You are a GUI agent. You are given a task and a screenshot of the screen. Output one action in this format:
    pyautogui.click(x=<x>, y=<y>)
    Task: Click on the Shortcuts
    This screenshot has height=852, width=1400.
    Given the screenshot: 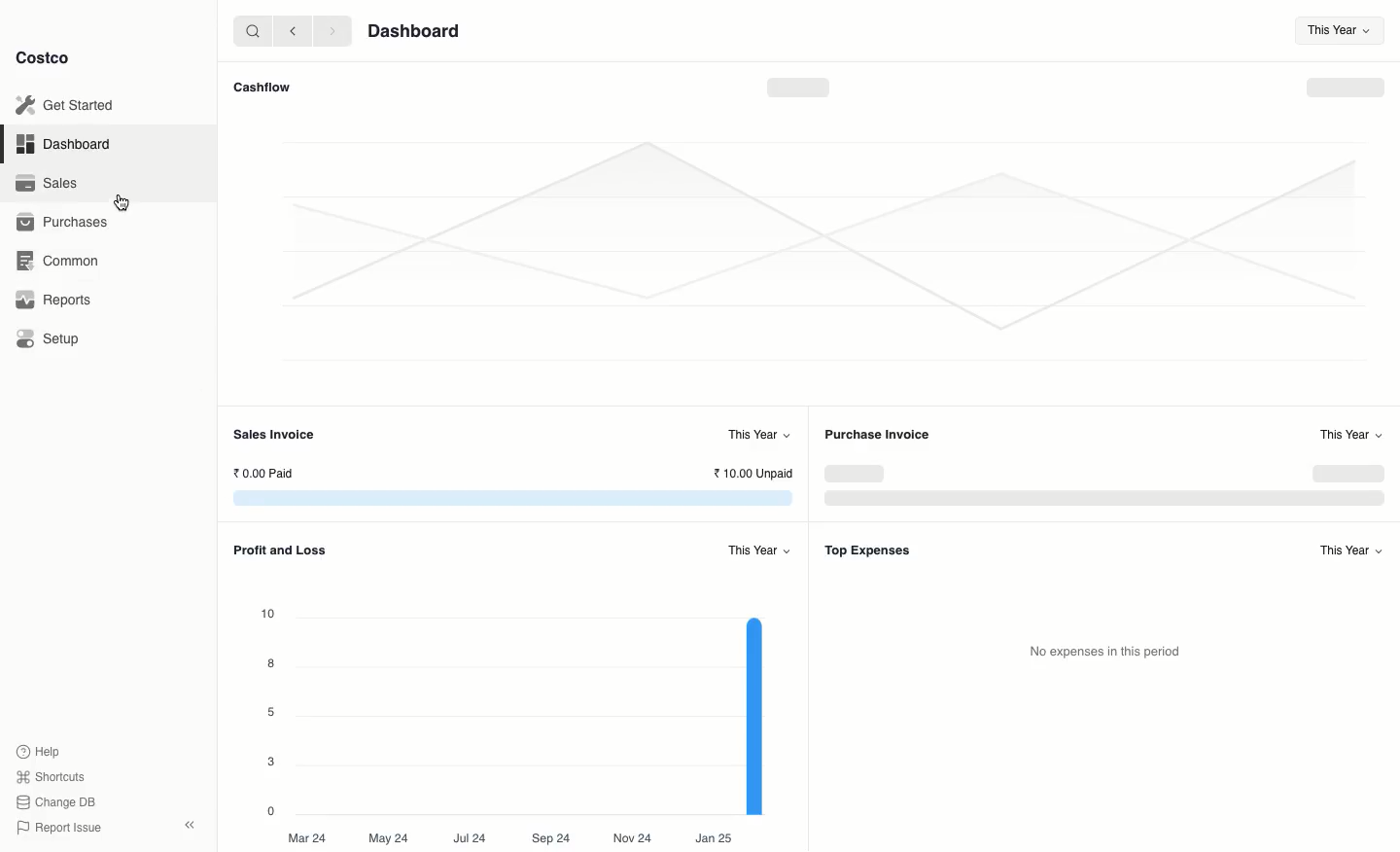 What is the action you would take?
    pyautogui.click(x=52, y=775)
    